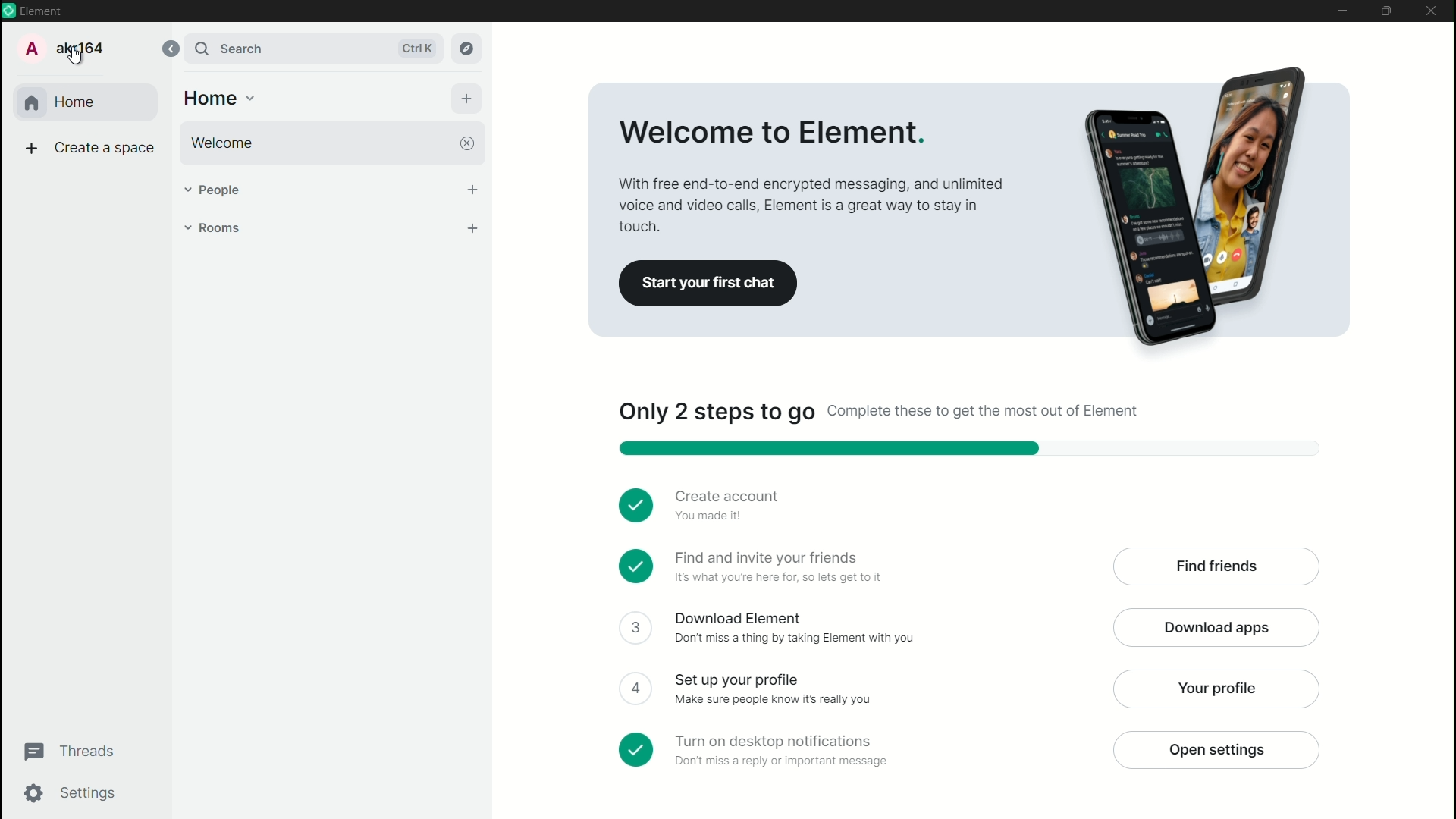  What do you see at coordinates (1216, 752) in the screenshot?
I see `open settings` at bounding box center [1216, 752].